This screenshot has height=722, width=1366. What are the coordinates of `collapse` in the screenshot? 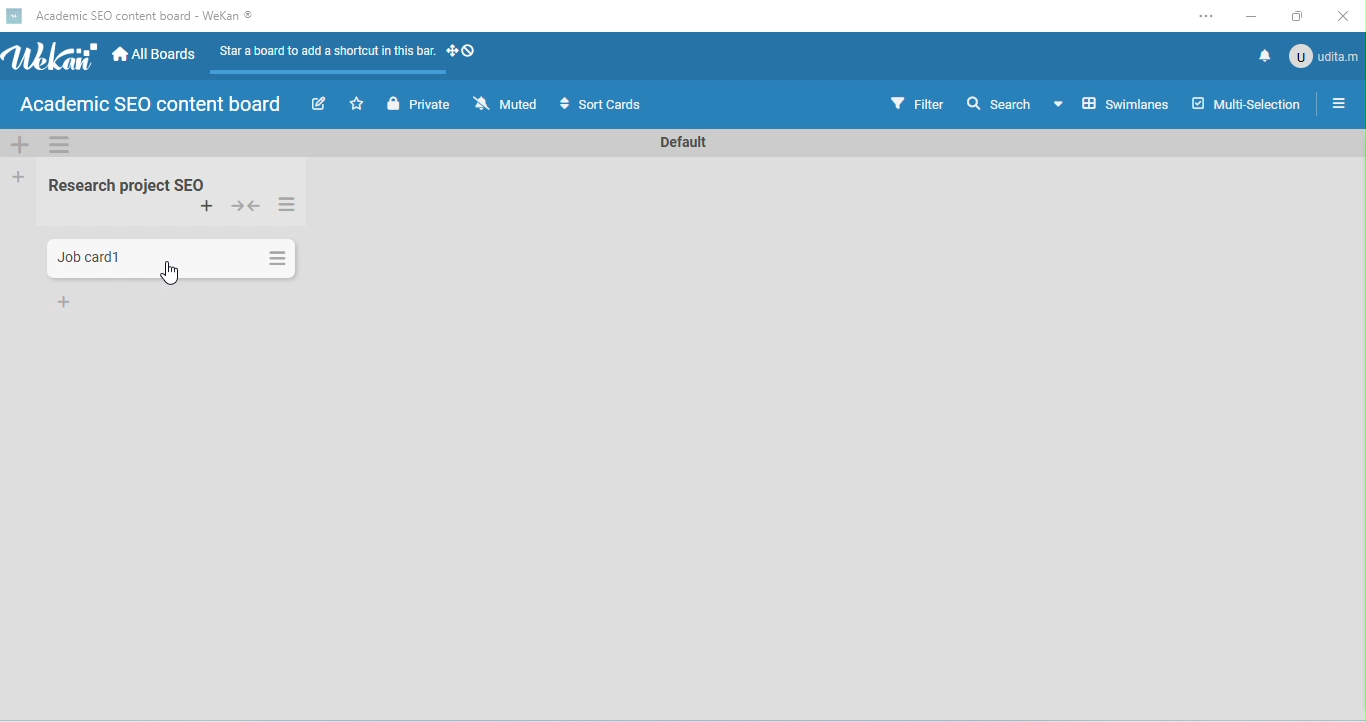 It's located at (245, 207).